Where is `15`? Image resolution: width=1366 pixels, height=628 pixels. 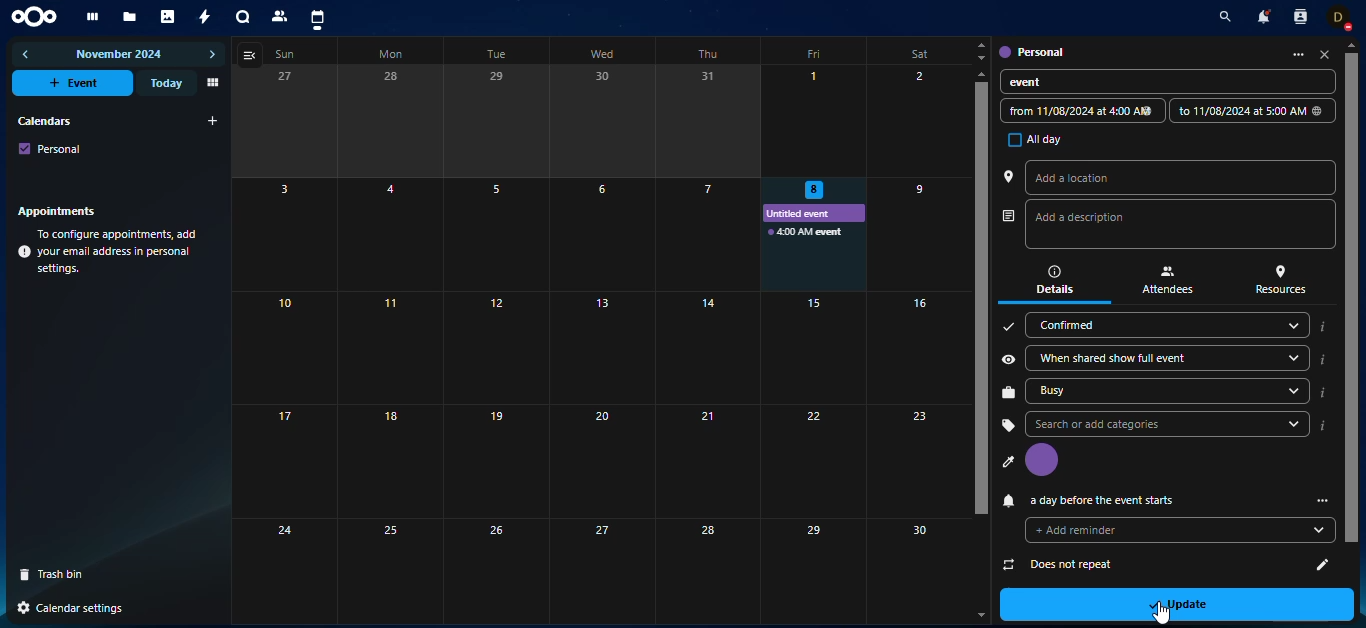
15 is located at coordinates (812, 347).